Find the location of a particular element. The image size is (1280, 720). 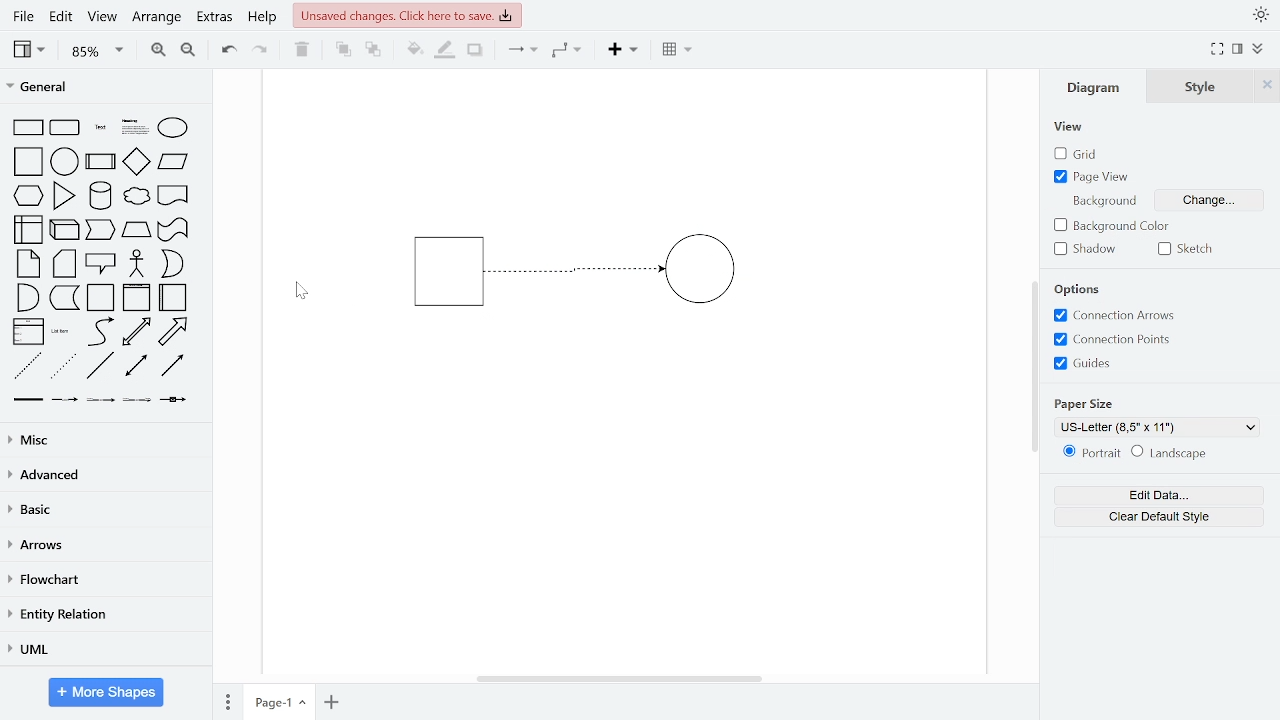

to front is located at coordinates (343, 50).